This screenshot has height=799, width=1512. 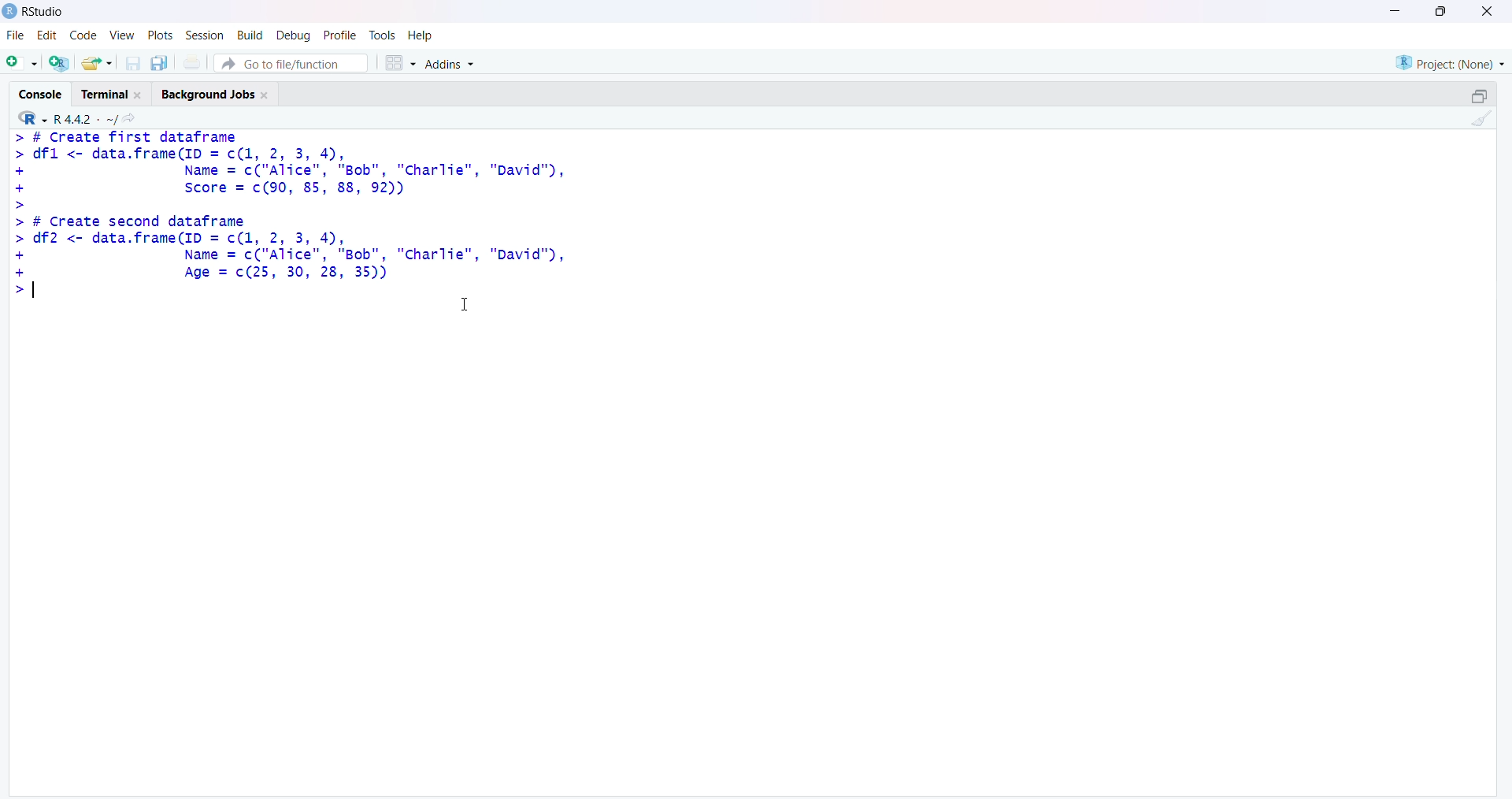 I want to click on share folder as, so click(x=98, y=63).